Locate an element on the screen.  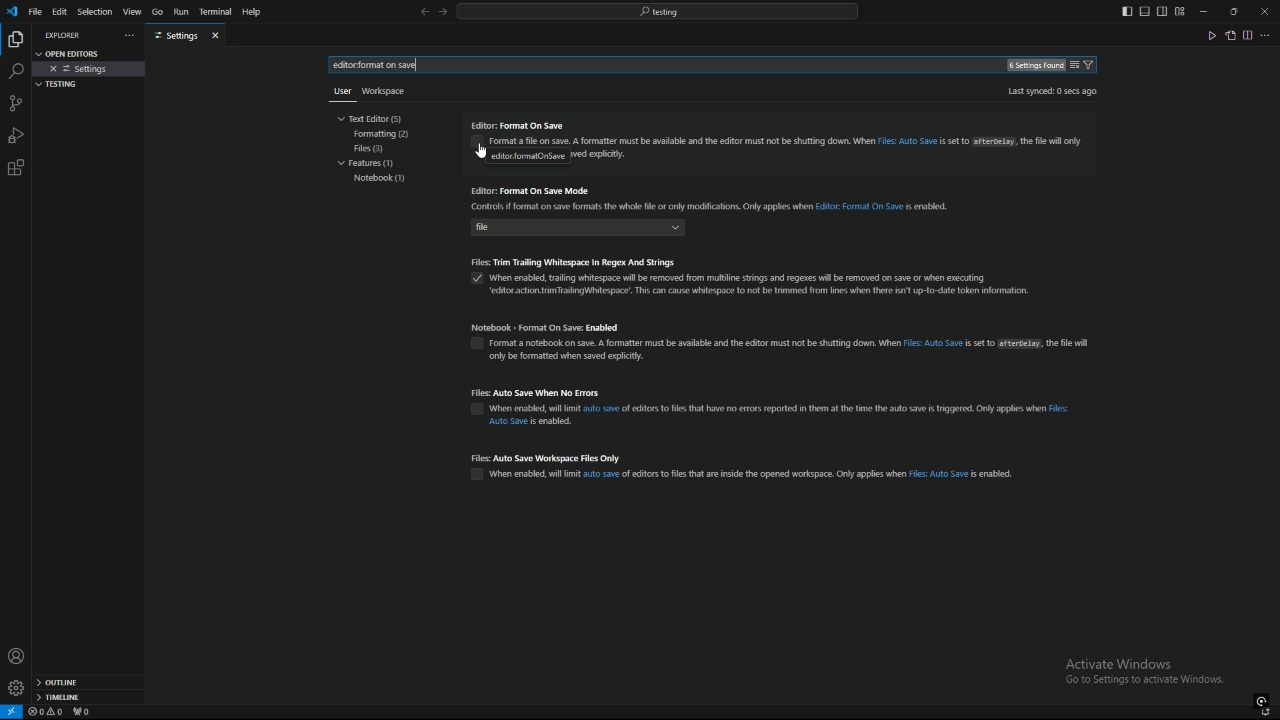
trim trailing whitespace is located at coordinates (758, 279).